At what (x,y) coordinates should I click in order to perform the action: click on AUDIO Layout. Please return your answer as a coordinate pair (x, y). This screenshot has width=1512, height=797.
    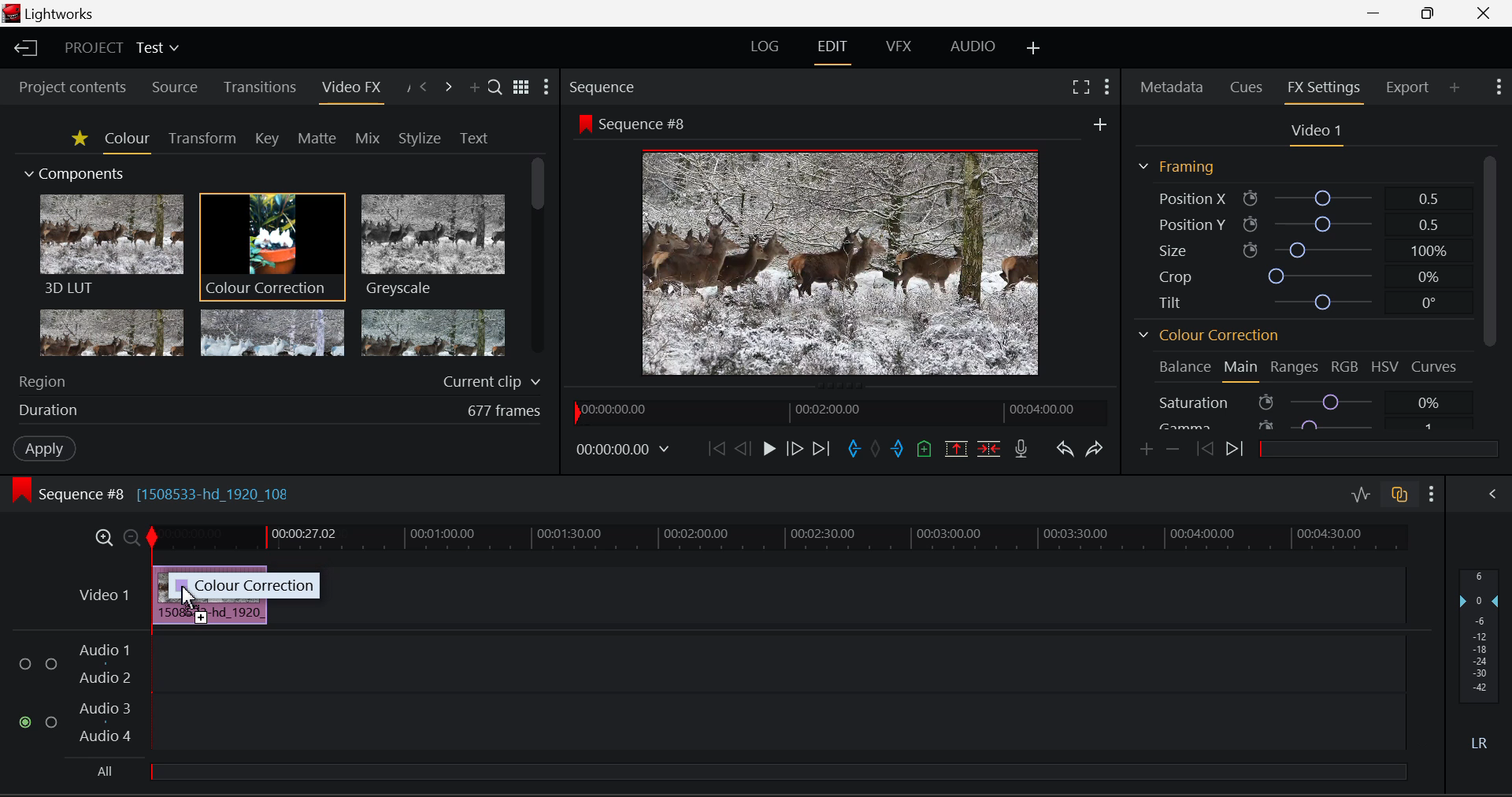
    Looking at the image, I should click on (967, 48).